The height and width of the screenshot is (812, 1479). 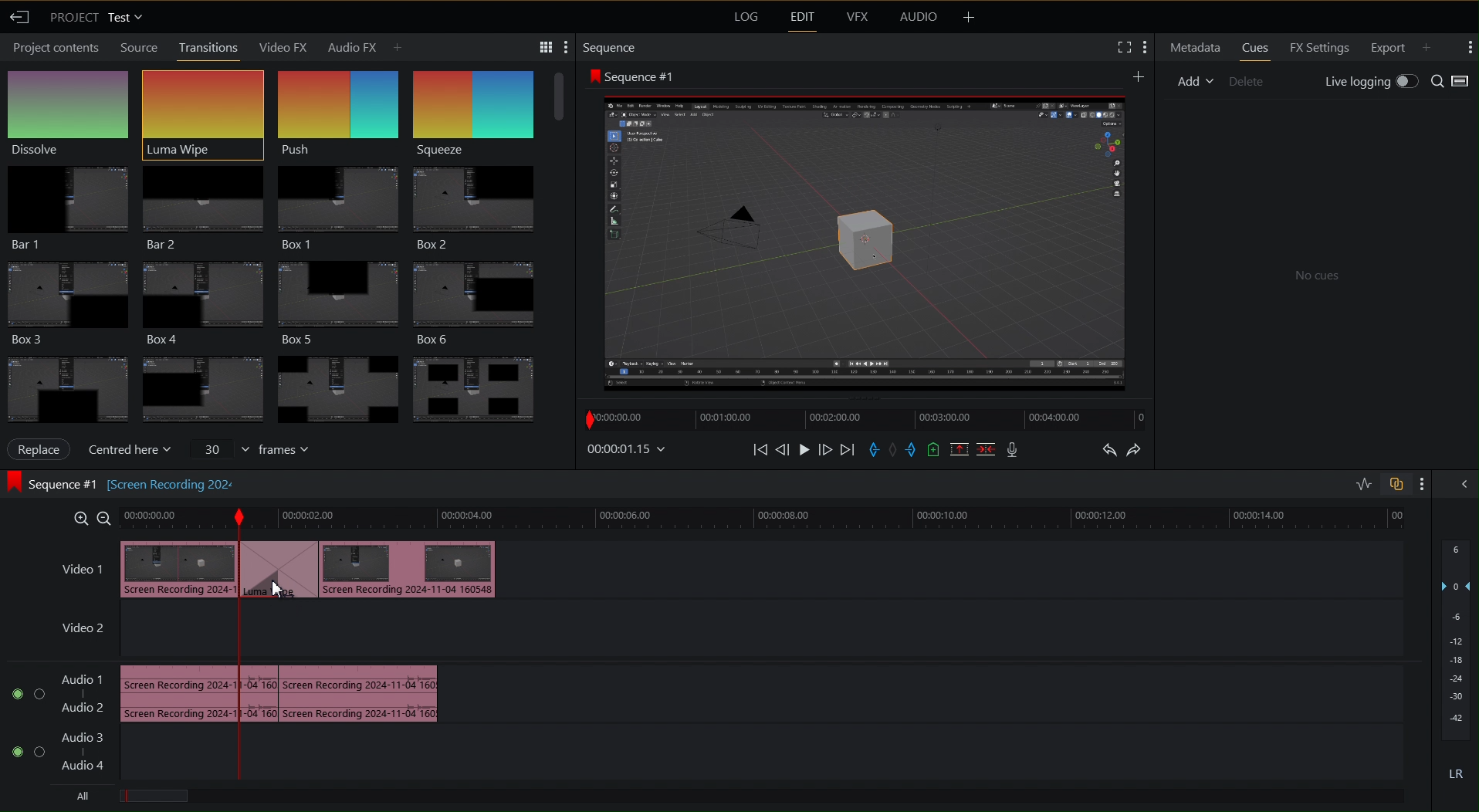 What do you see at coordinates (121, 482) in the screenshot?
I see `Sequence #1 [screen Recording202]` at bounding box center [121, 482].